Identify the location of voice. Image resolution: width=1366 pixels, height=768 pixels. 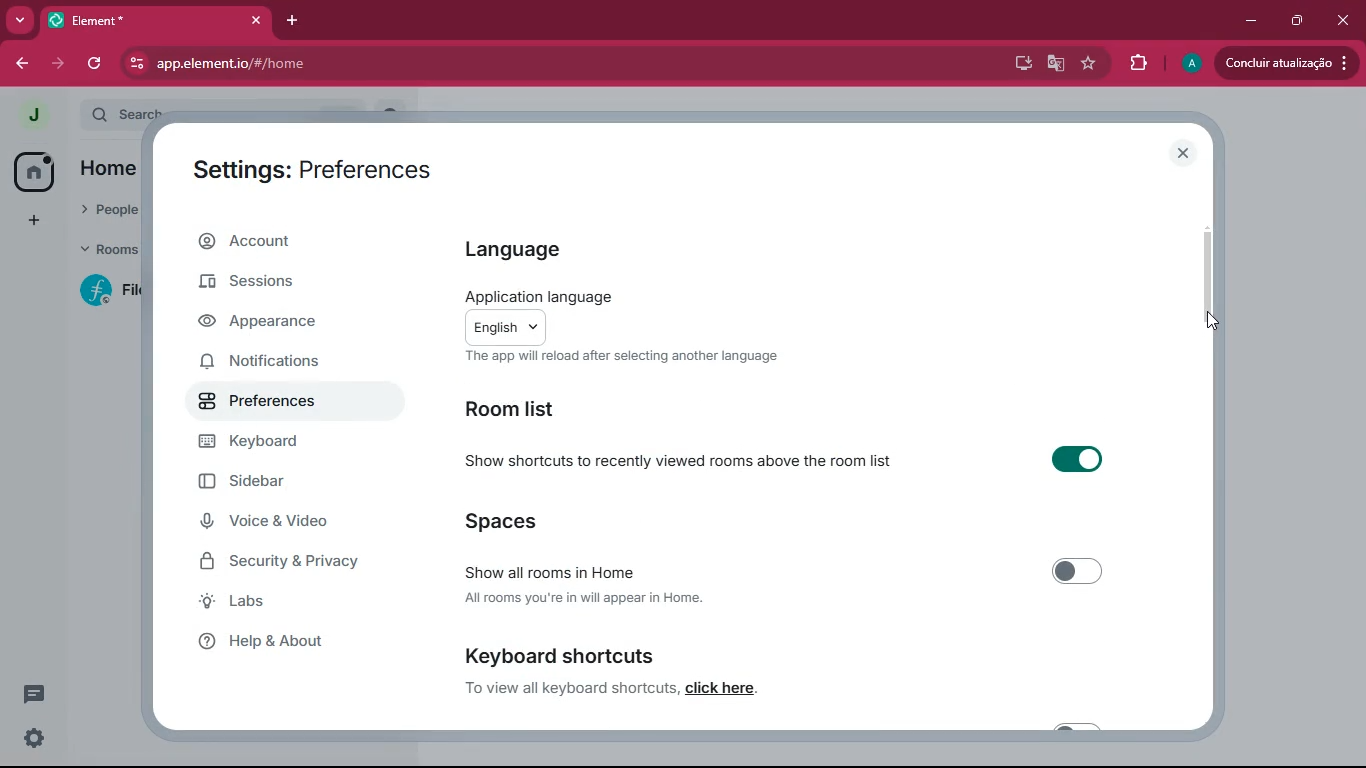
(277, 523).